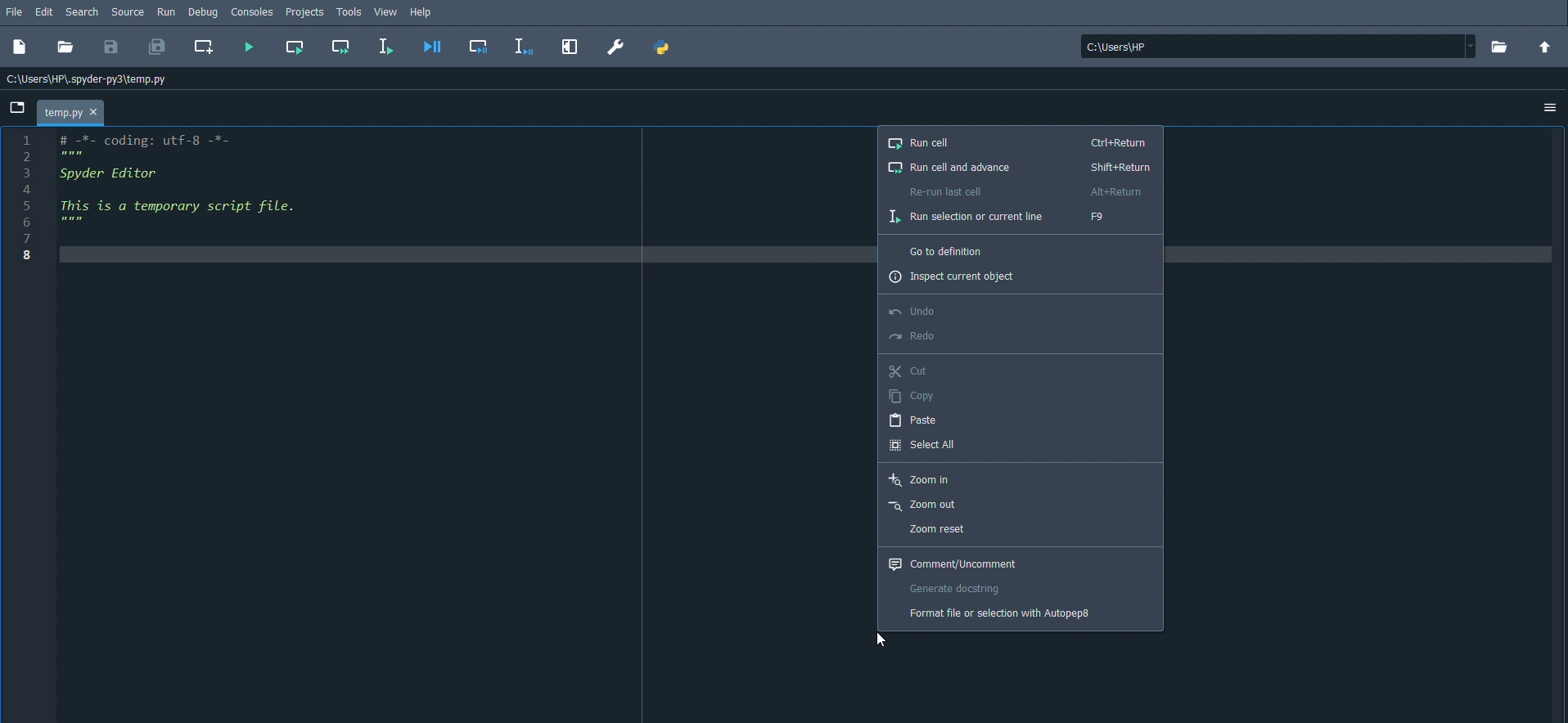  Describe the element at coordinates (950, 249) in the screenshot. I see `Go to definition` at that location.